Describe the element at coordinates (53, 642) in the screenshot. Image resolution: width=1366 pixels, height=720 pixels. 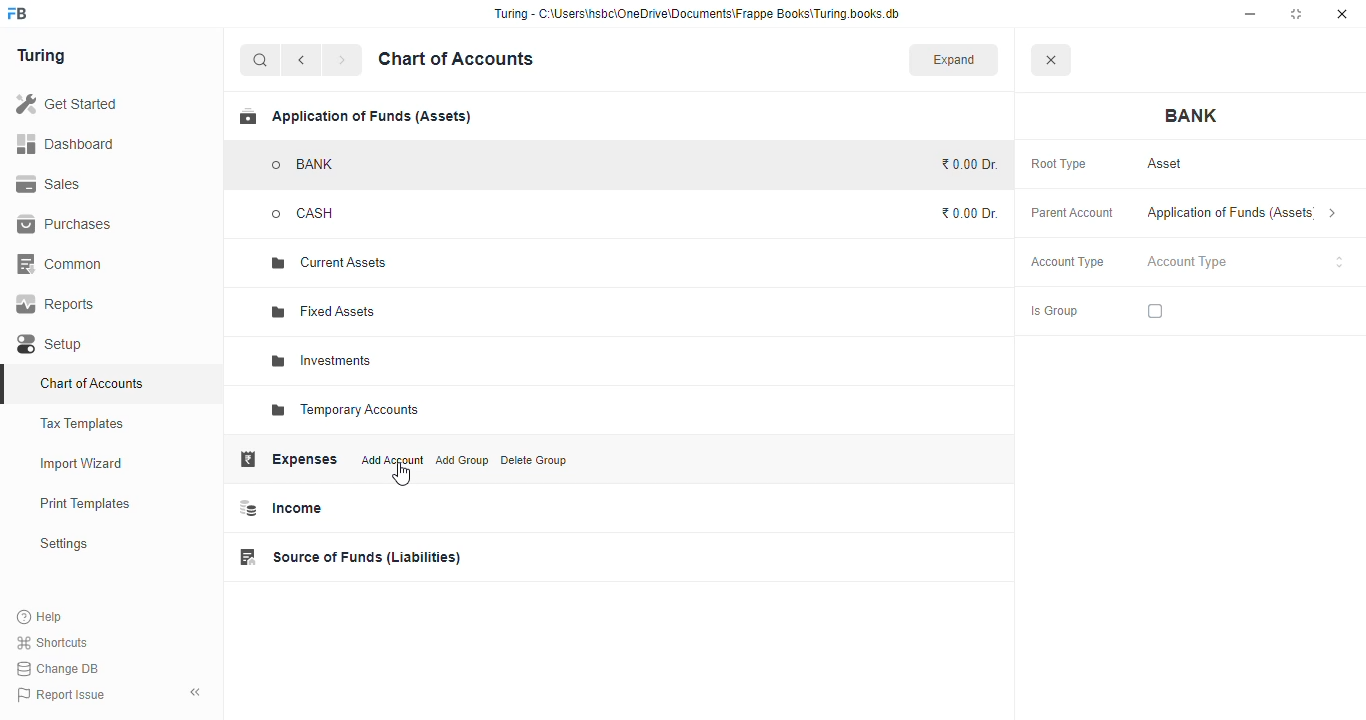
I see `shortcuts` at that location.